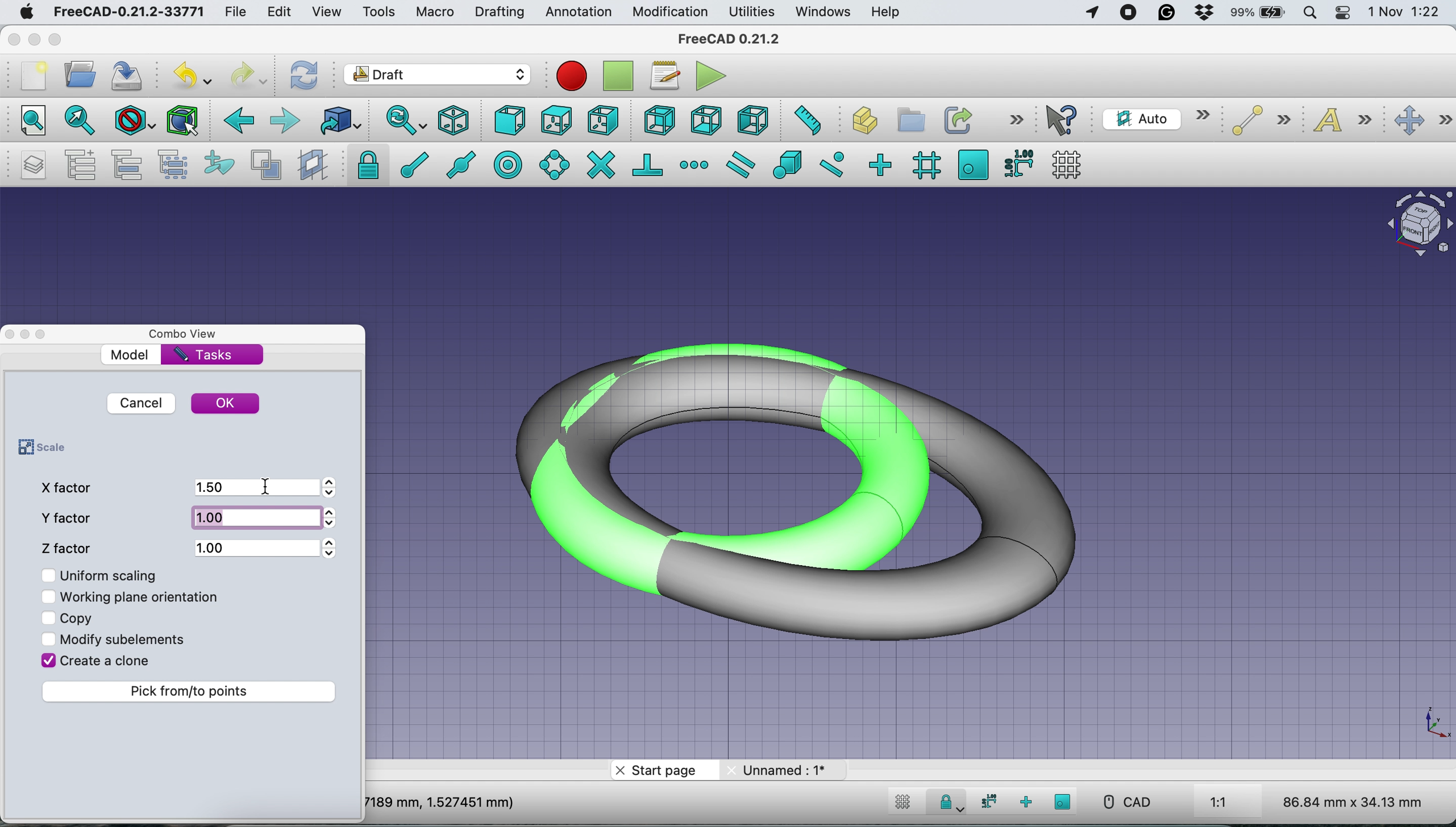  What do you see at coordinates (615, 76) in the screenshot?
I see `stop debugging` at bounding box center [615, 76].